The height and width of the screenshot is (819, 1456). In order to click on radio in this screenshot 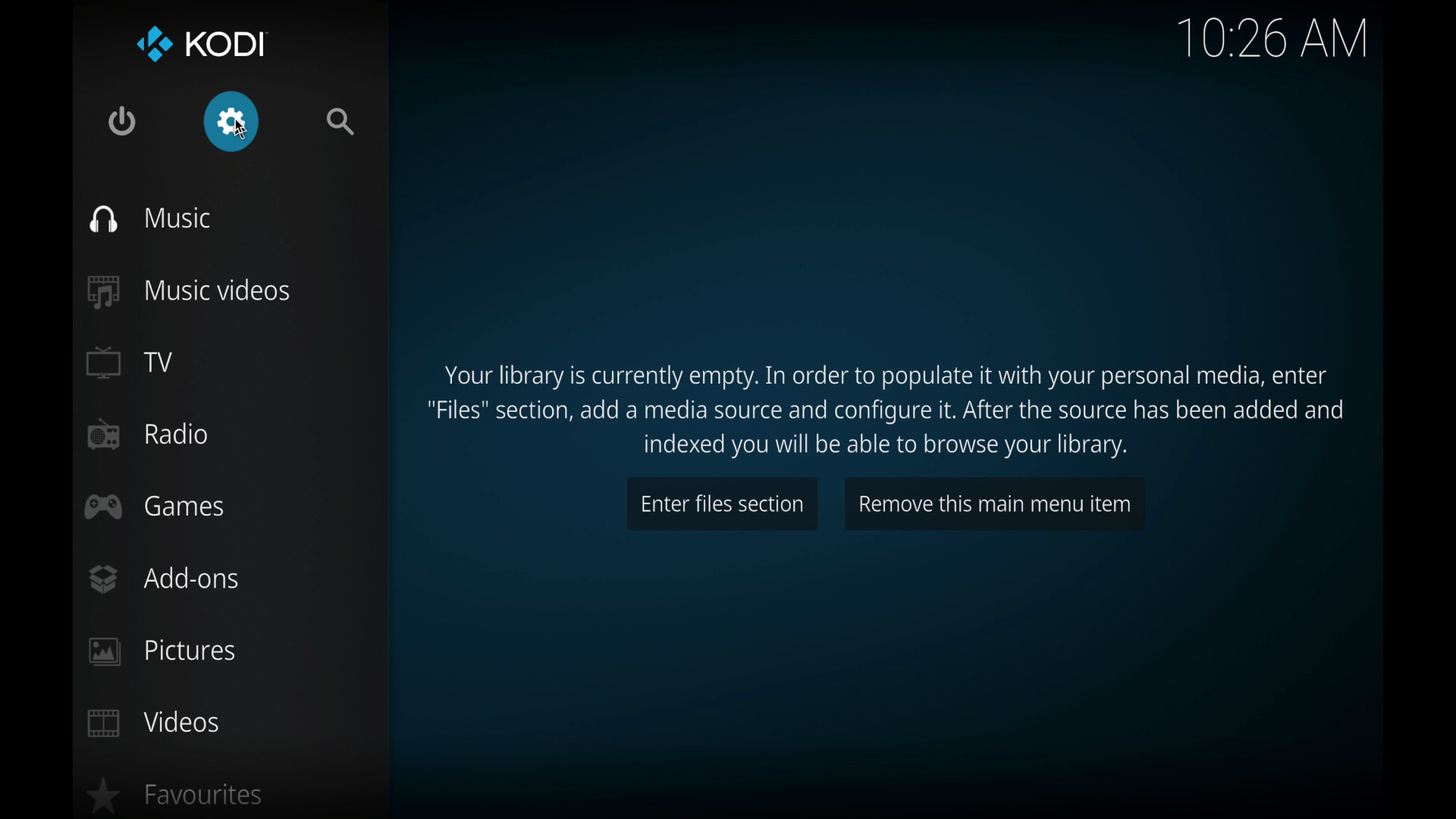, I will do `click(147, 435)`.